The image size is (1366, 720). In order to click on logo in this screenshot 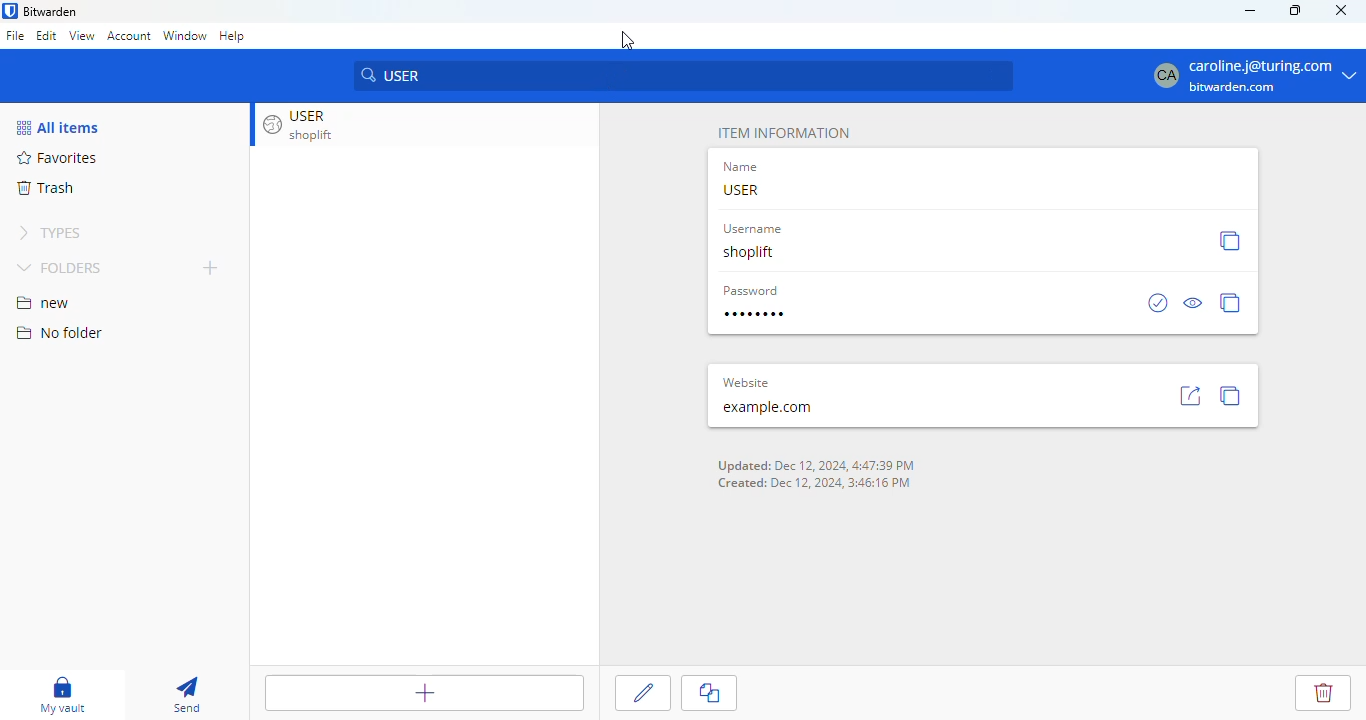, I will do `click(10, 10)`.